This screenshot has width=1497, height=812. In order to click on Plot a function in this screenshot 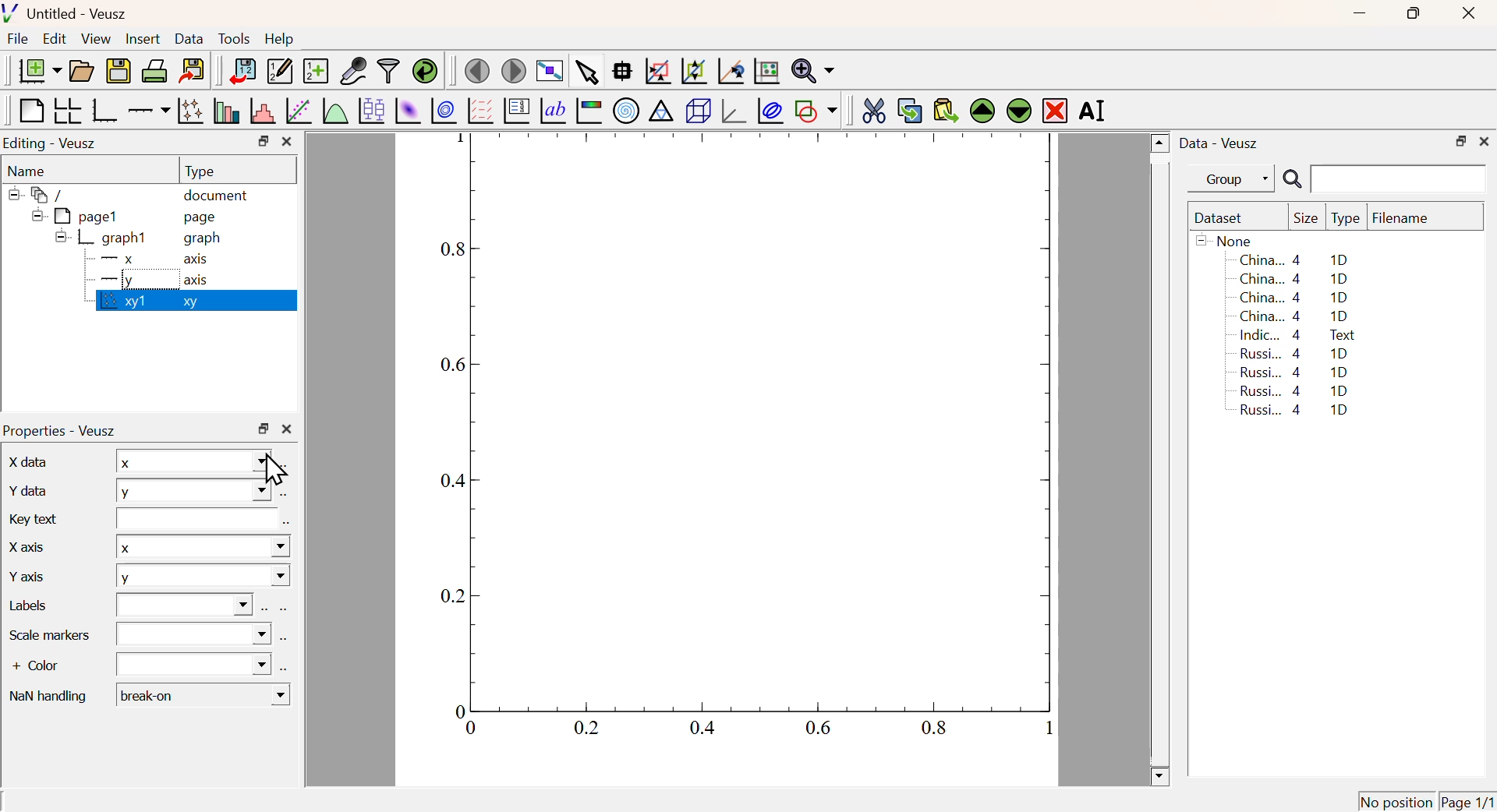, I will do `click(333, 111)`.